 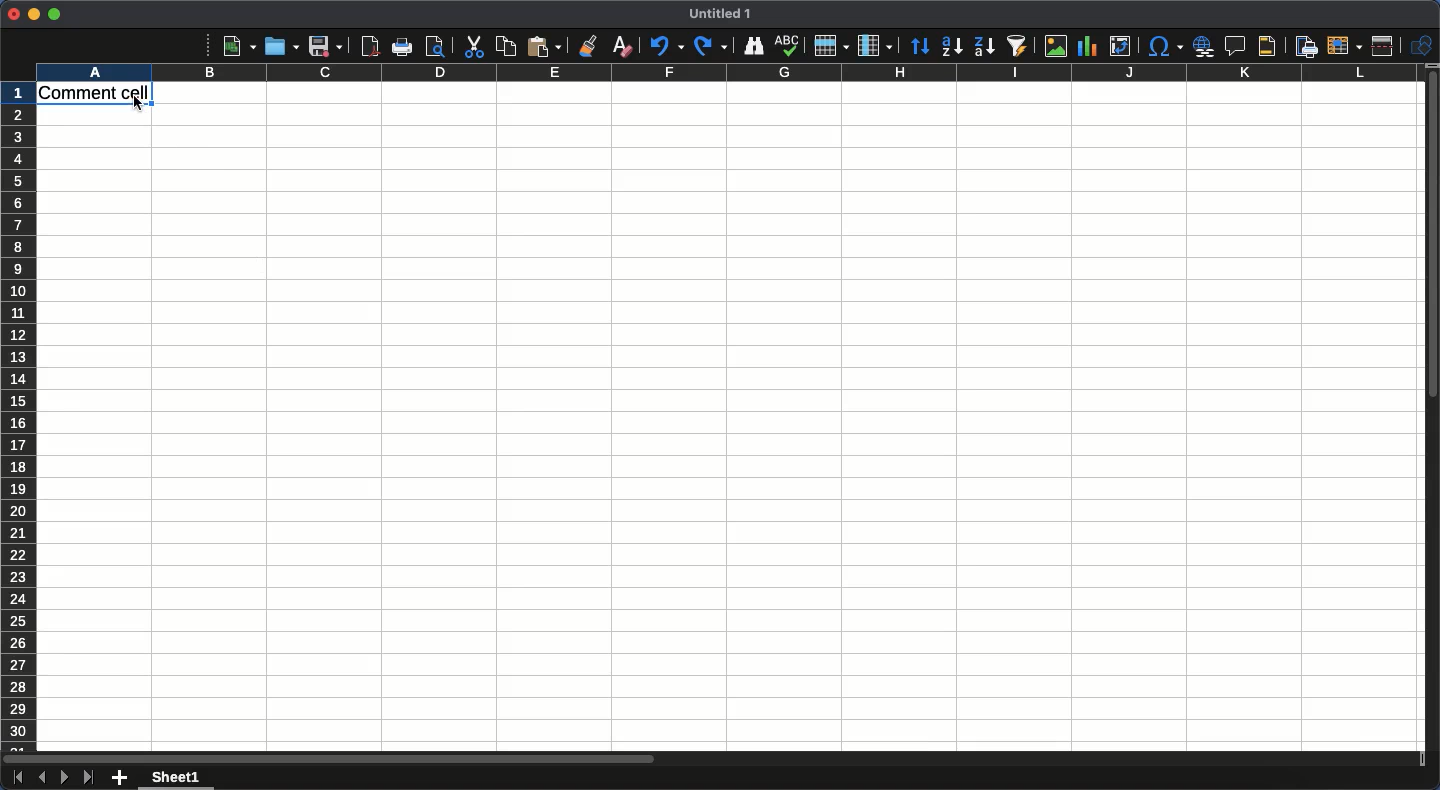 What do you see at coordinates (711, 47) in the screenshot?
I see `Redo` at bounding box center [711, 47].